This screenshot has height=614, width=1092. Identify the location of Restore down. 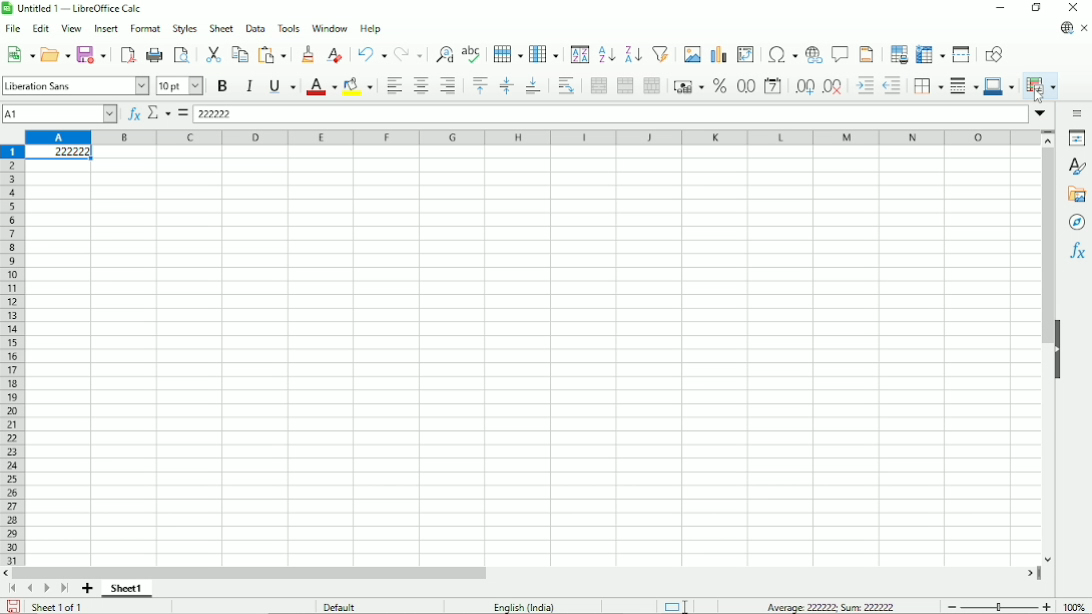
(1035, 8).